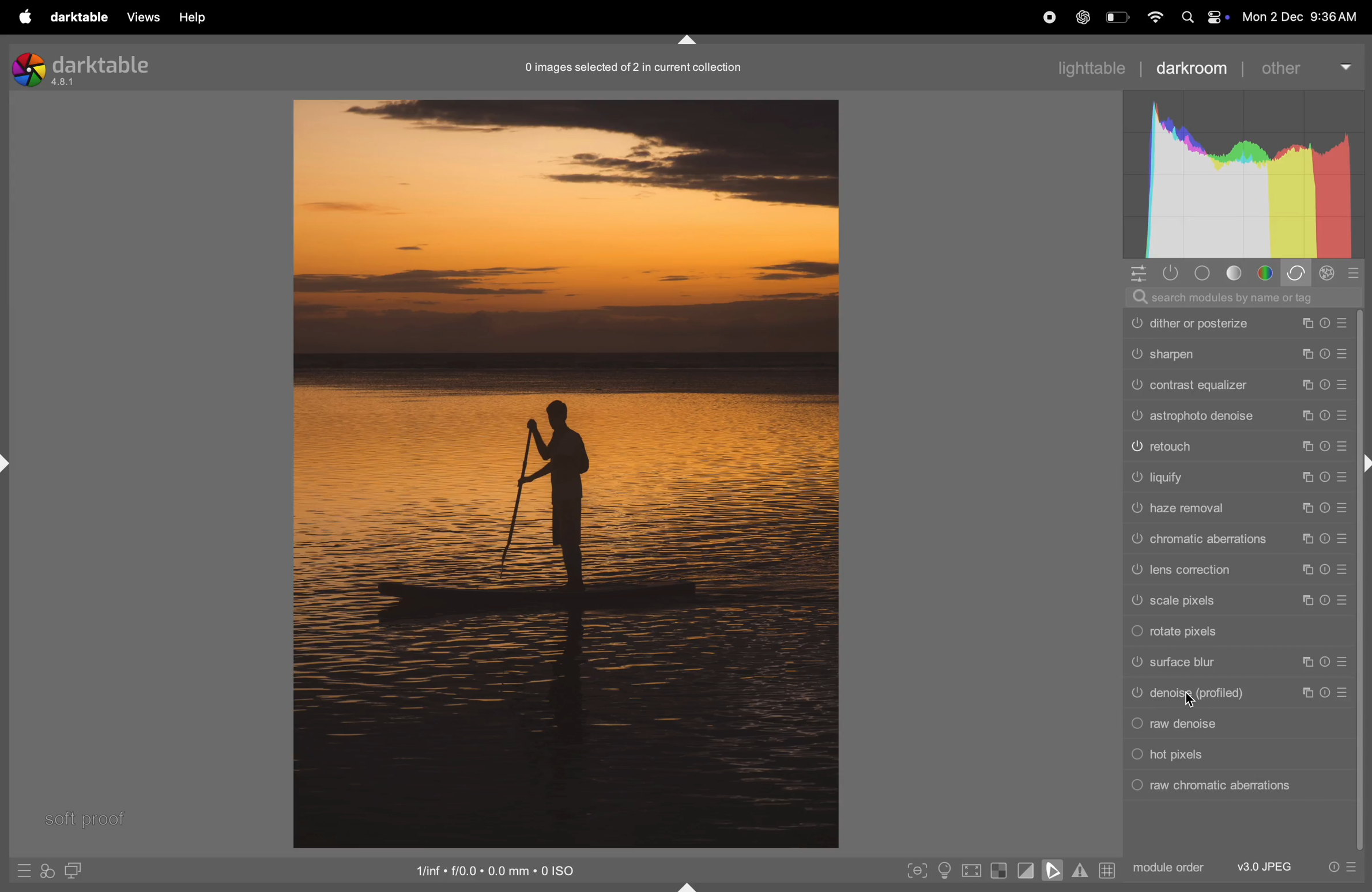 The width and height of the screenshot is (1372, 892). Describe the element at coordinates (1242, 785) in the screenshot. I see `raw chromatic abrerarations` at that location.